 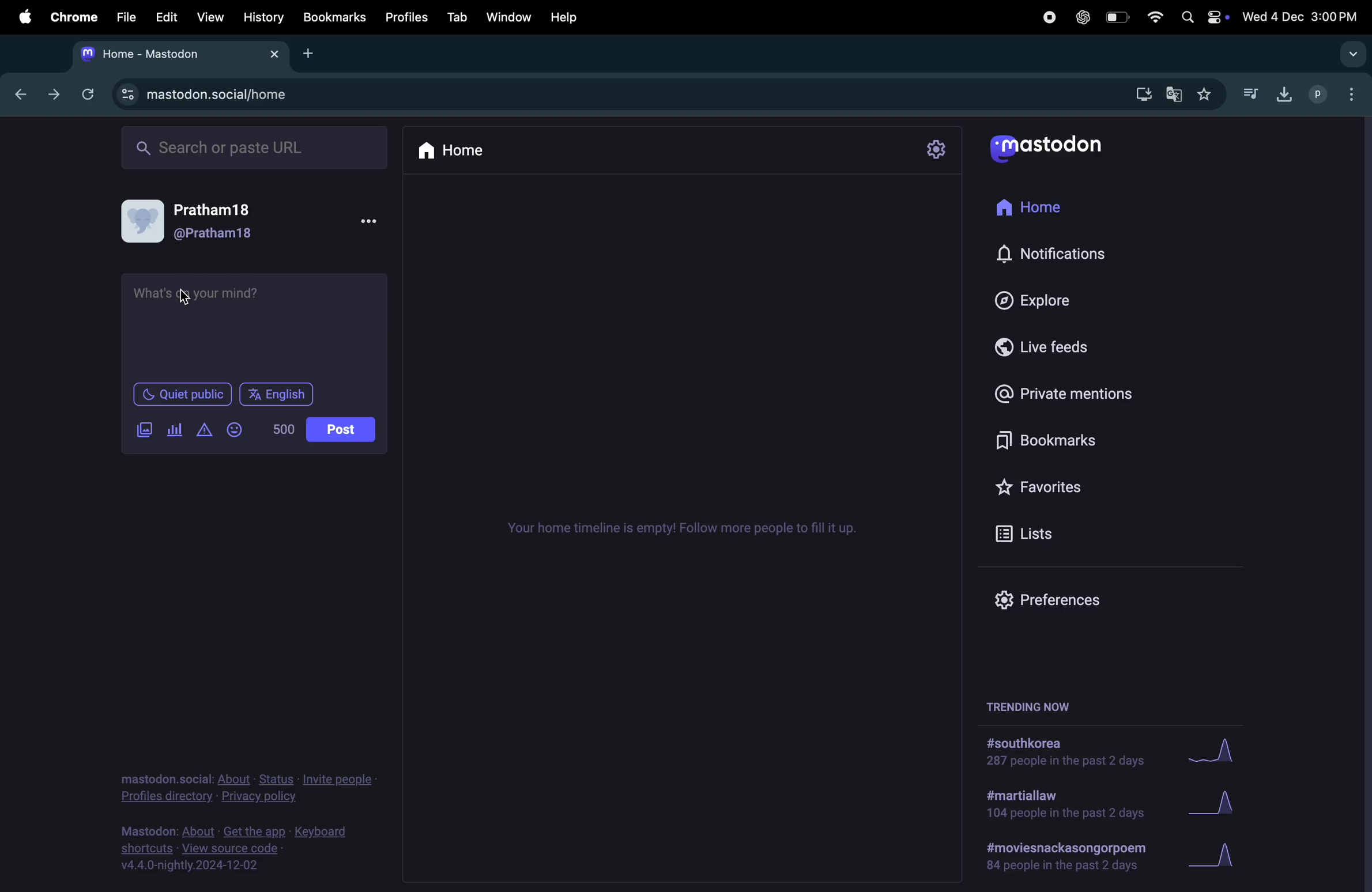 I want to click on apple widgets, so click(x=1201, y=19).